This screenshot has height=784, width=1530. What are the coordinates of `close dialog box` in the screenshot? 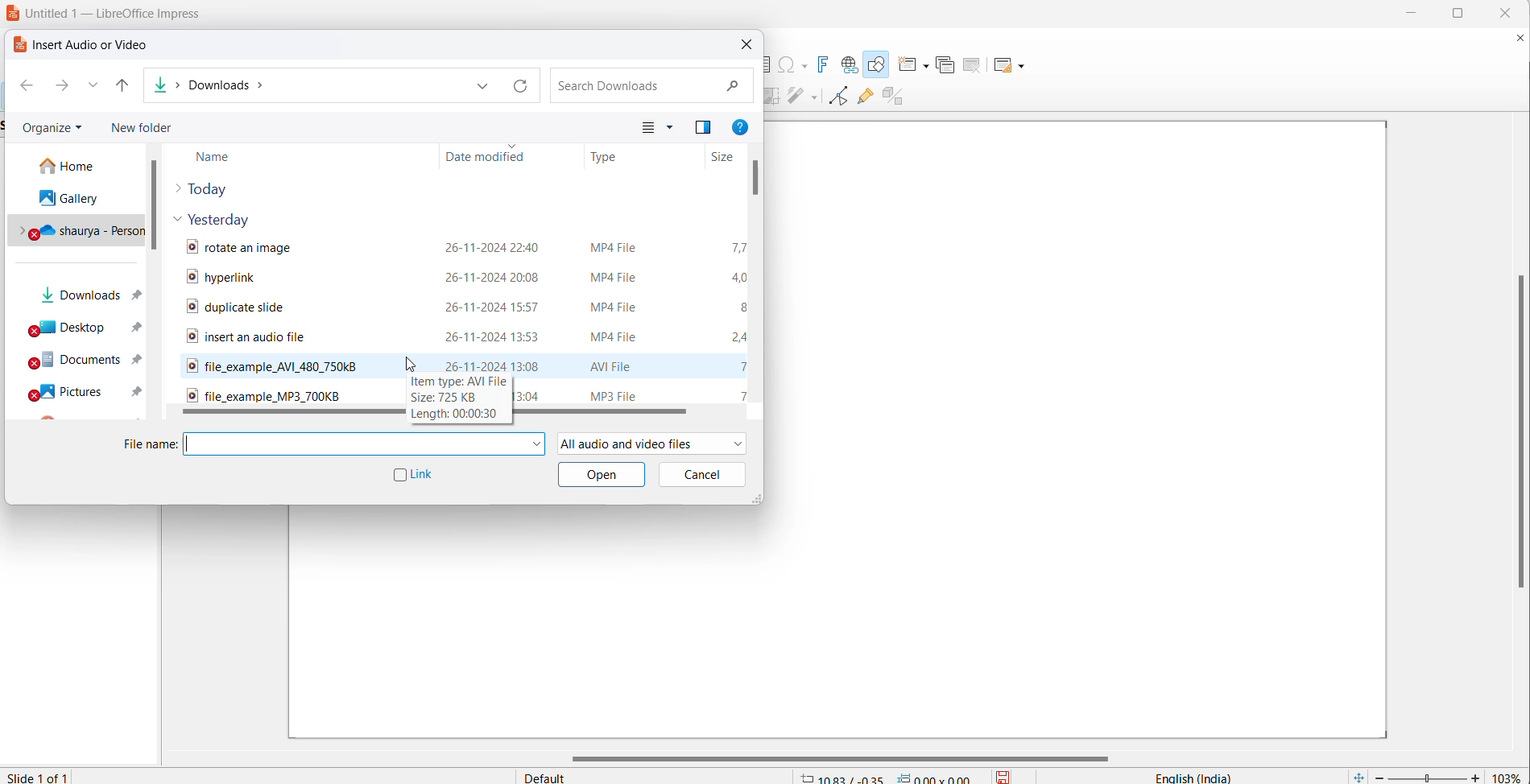 It's located at (746, 45).